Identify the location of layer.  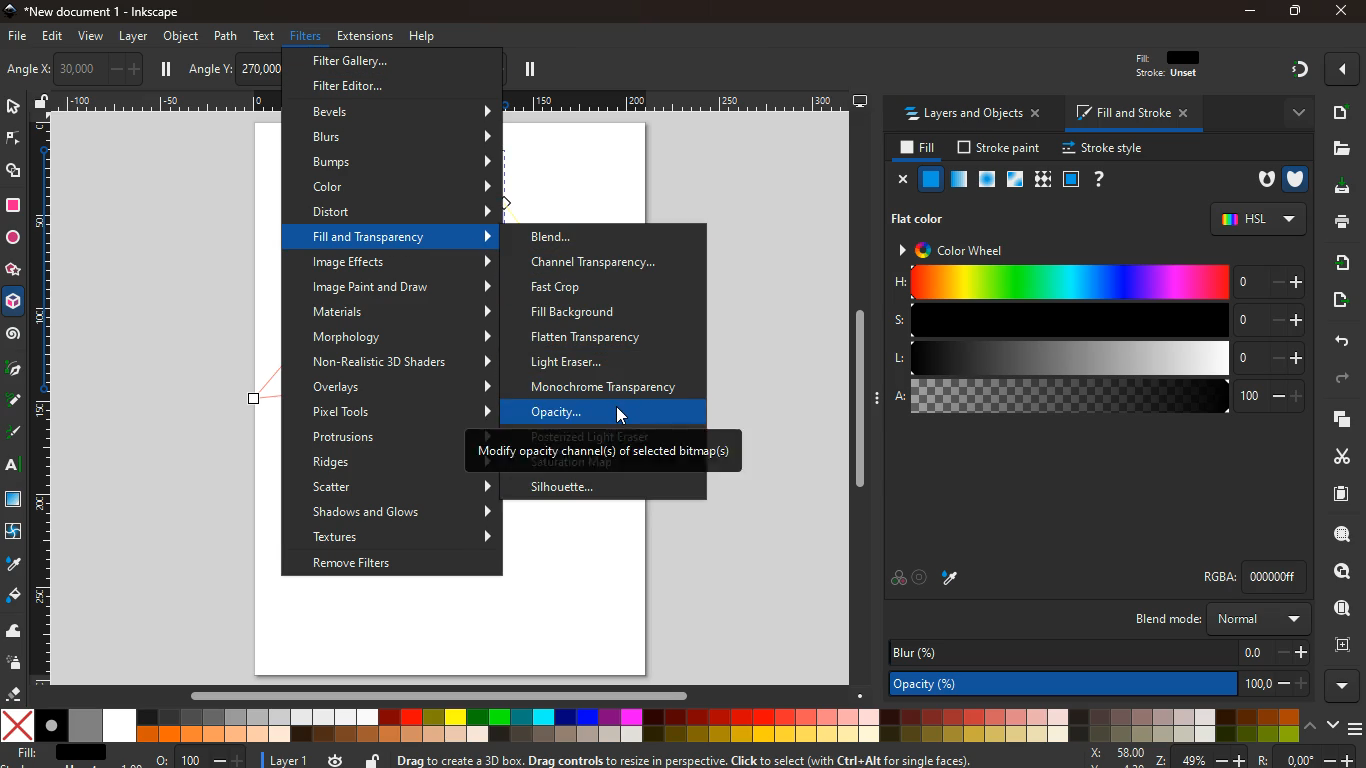
(285, 758).